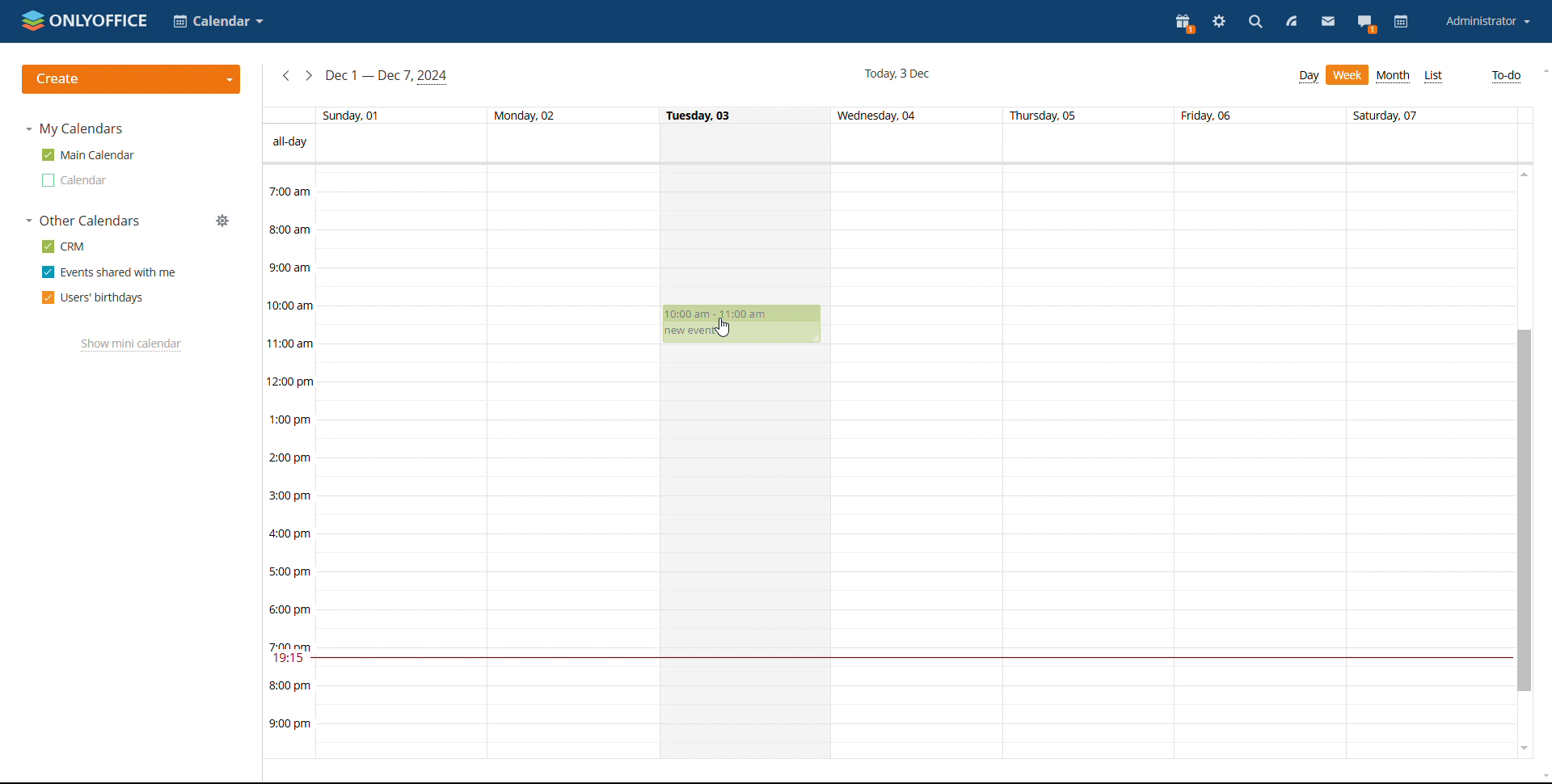 The width and height of the screenshot is (1552, 784). I want to click on present, so click(1185, 23).